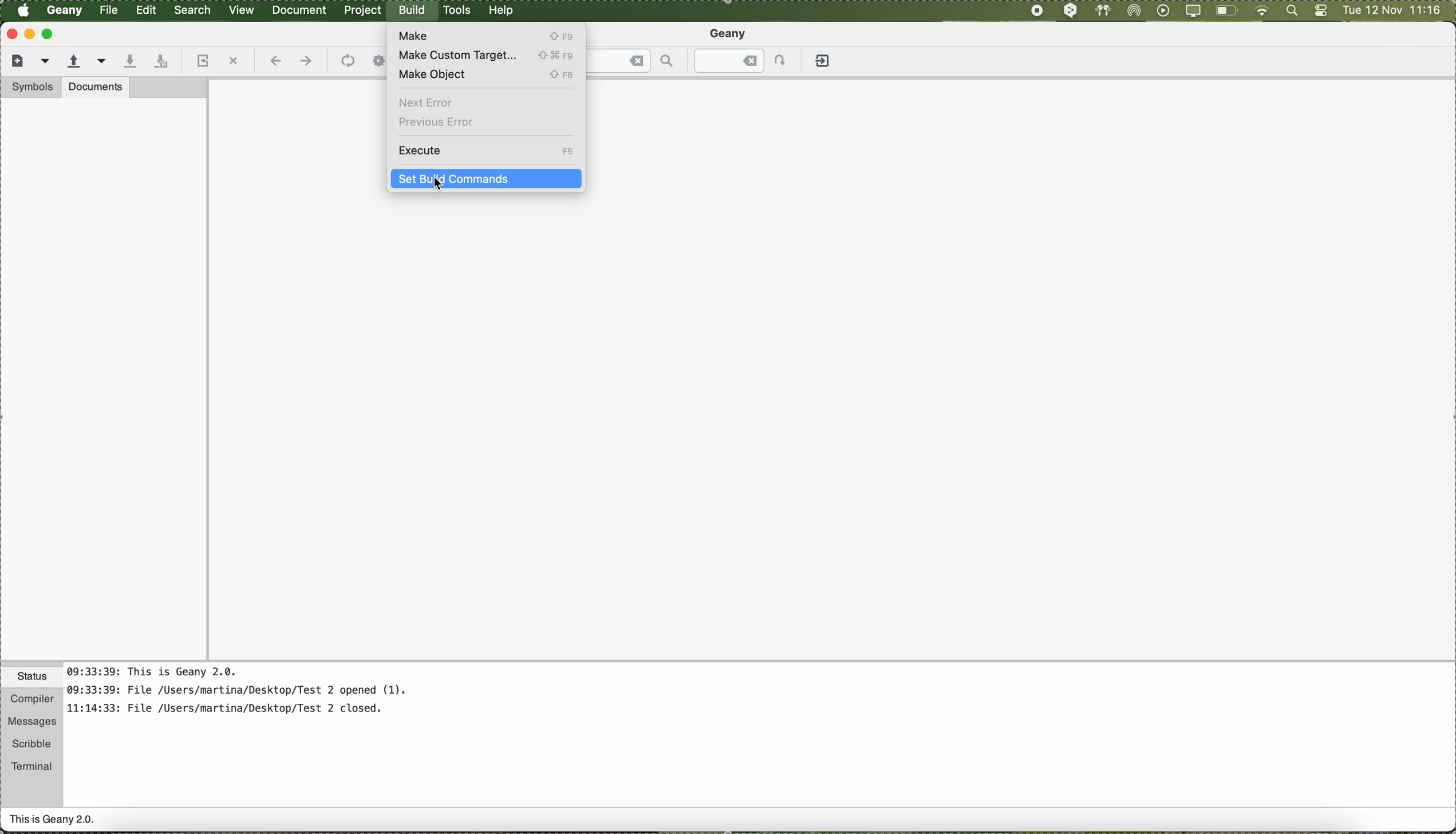  I want to click on make custom target, so click(486, 56).